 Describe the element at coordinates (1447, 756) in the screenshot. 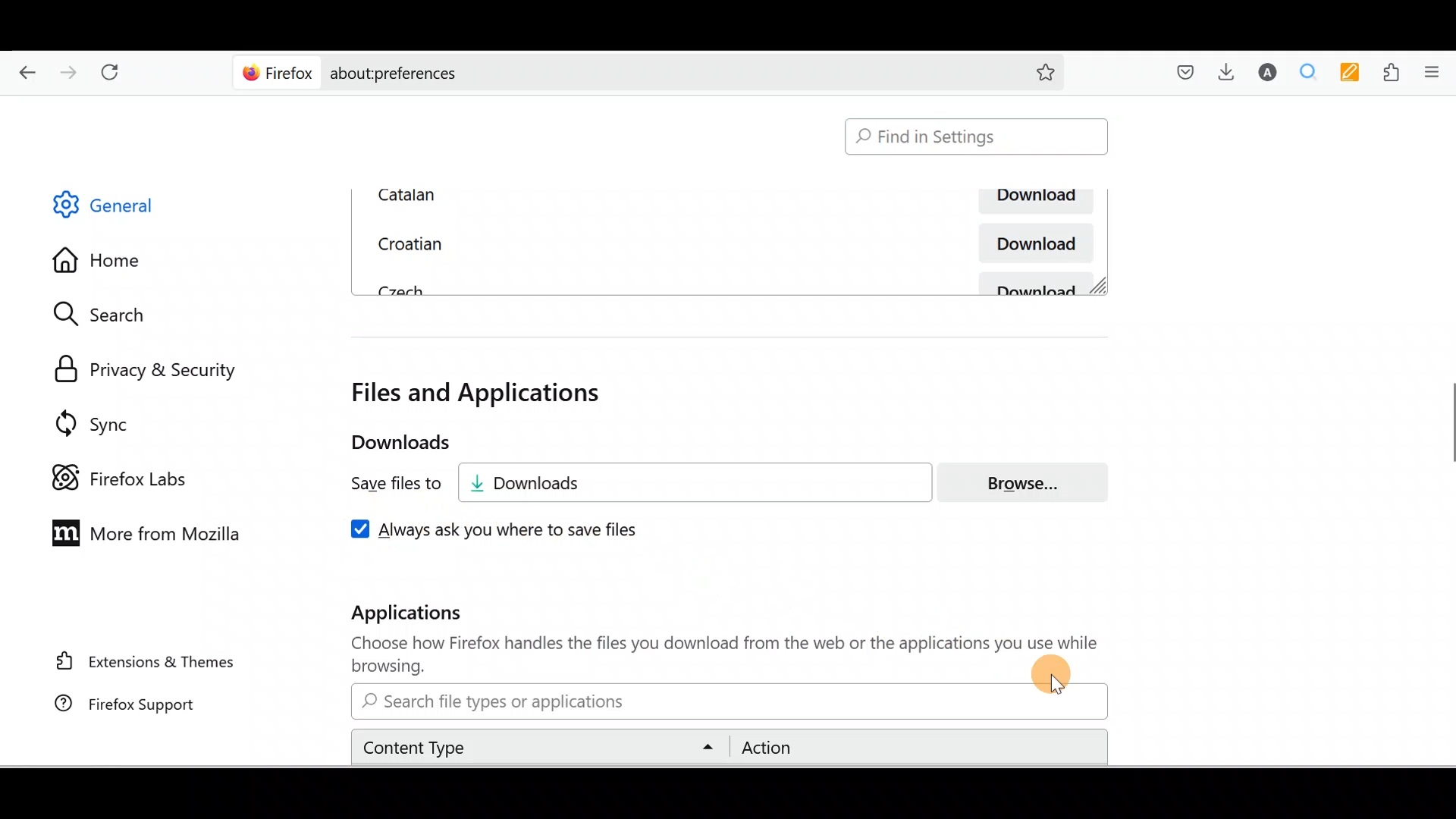

I see `scroll down` at that location.